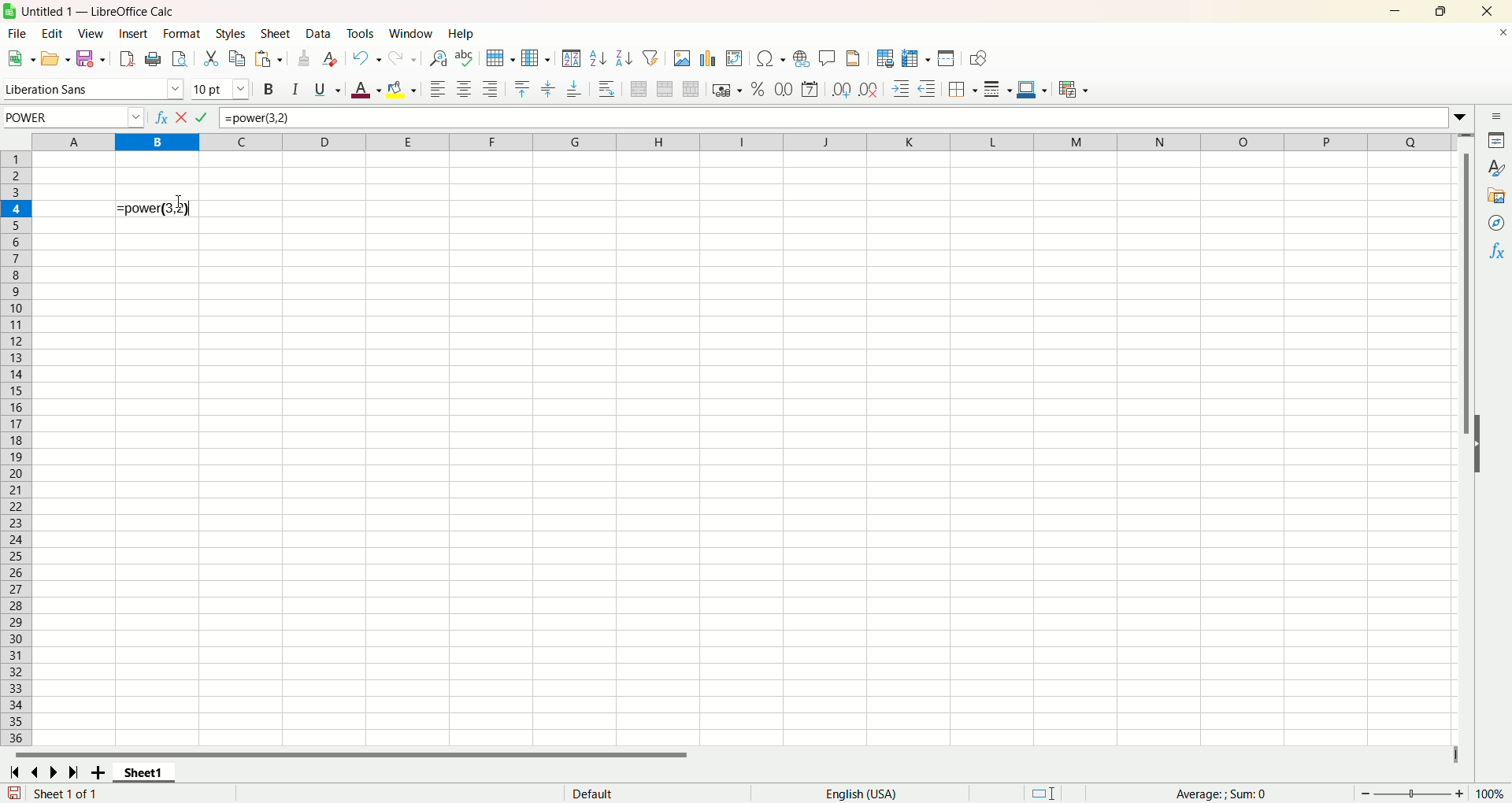 The height and width of the screenshot is (803, 1512). Describe the element at coordinates (725, 91) in the screenshot. I see `format as currency` at that location.